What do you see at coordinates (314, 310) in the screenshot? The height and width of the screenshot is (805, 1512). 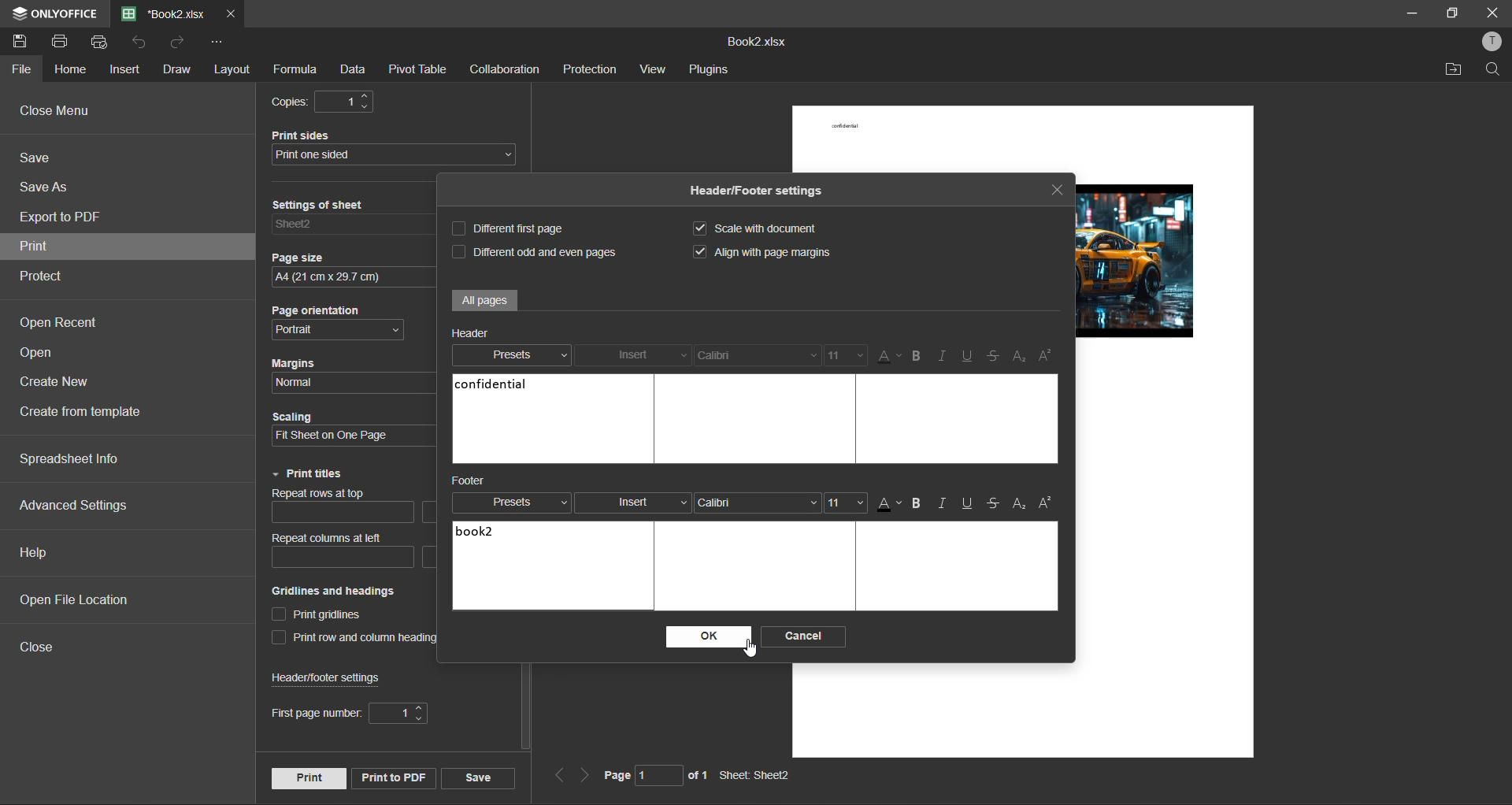 I see `Page orientation` at bounding box center [314, 310].